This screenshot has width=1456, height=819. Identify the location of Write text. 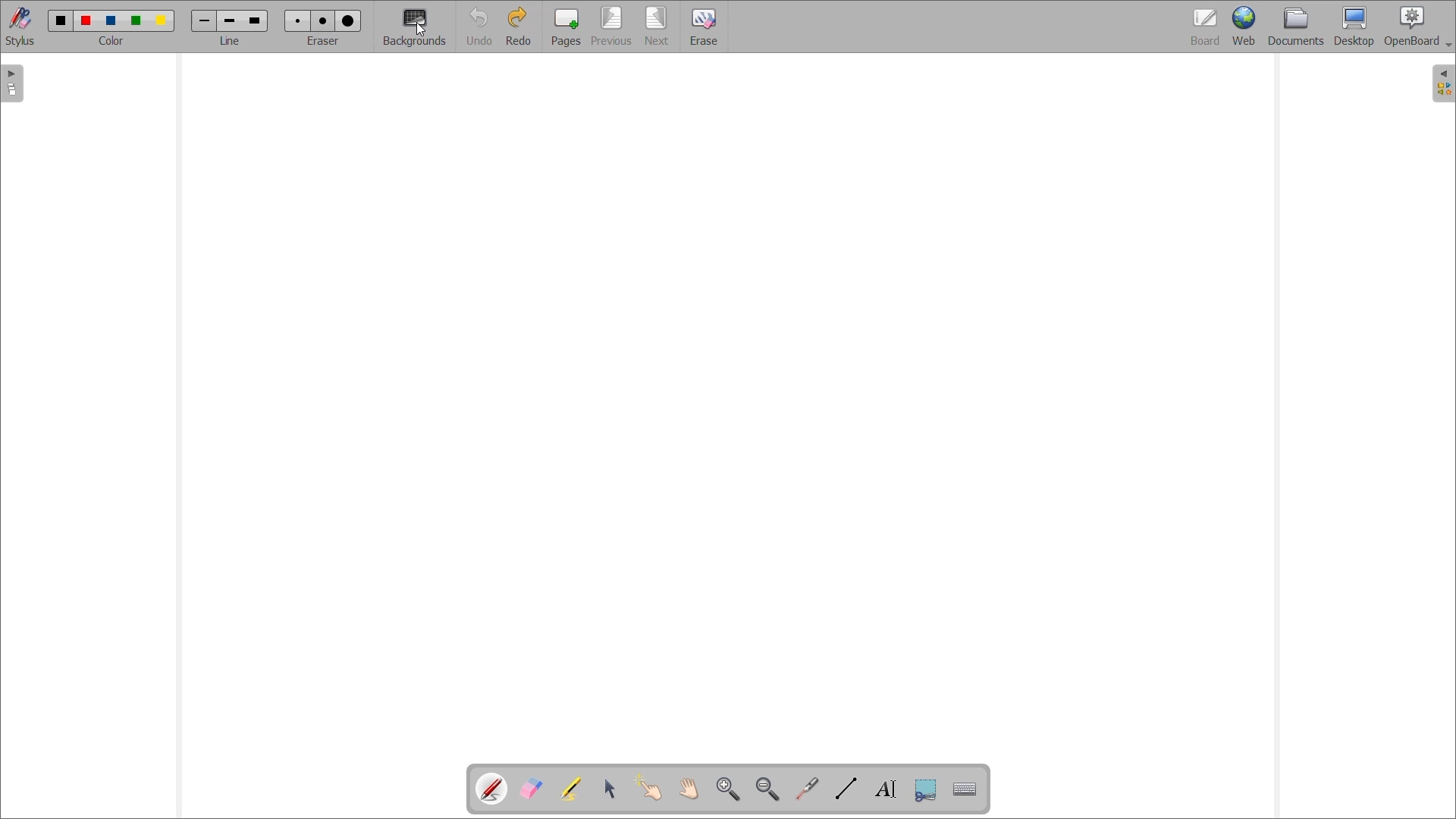
(886, 790).